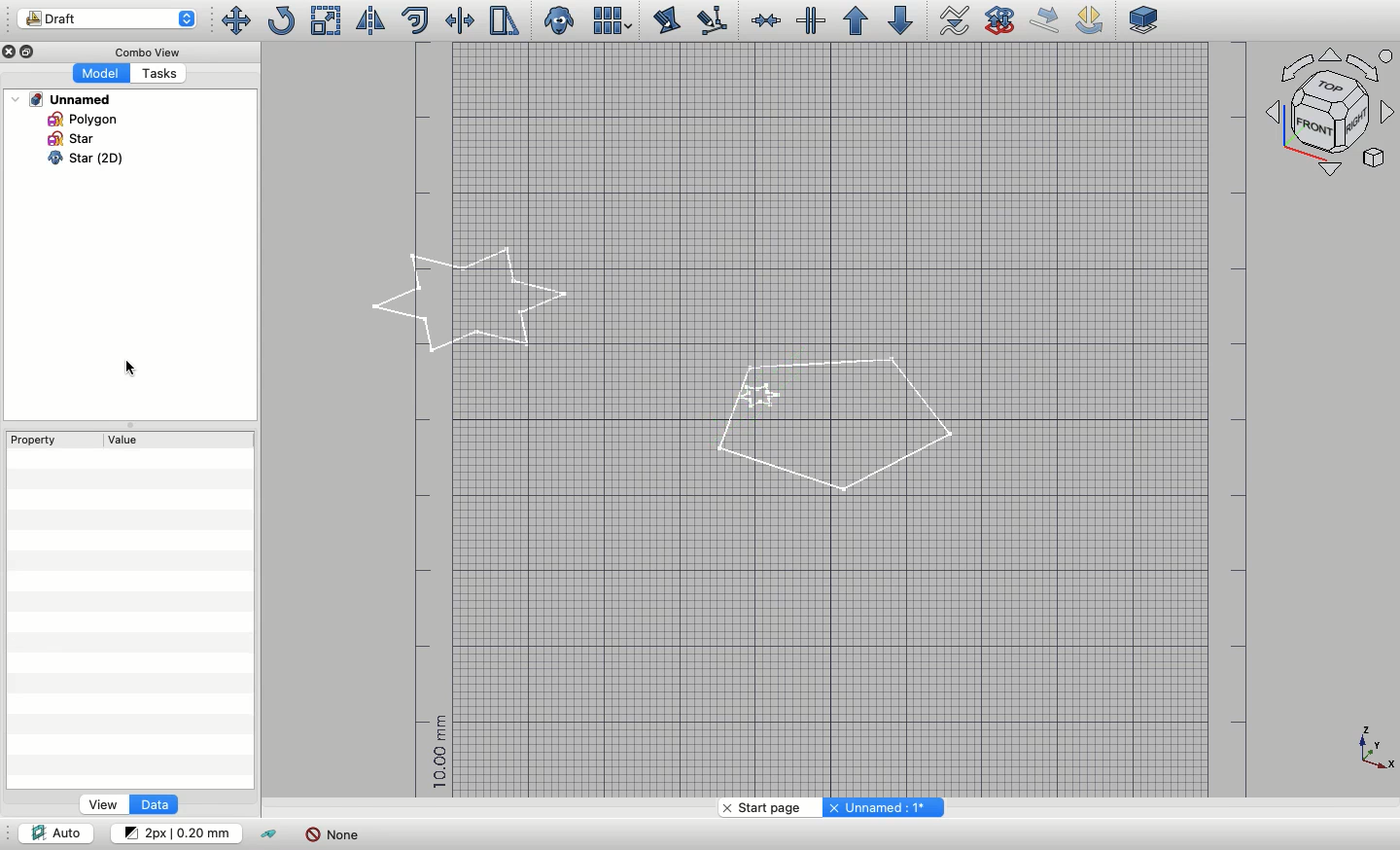 Image resolution: width=1400 pixels, height=850 pixels. What do you see at coordinates (104, 804) in the screenshot?
I see `View` at bounding box center [104, 804].